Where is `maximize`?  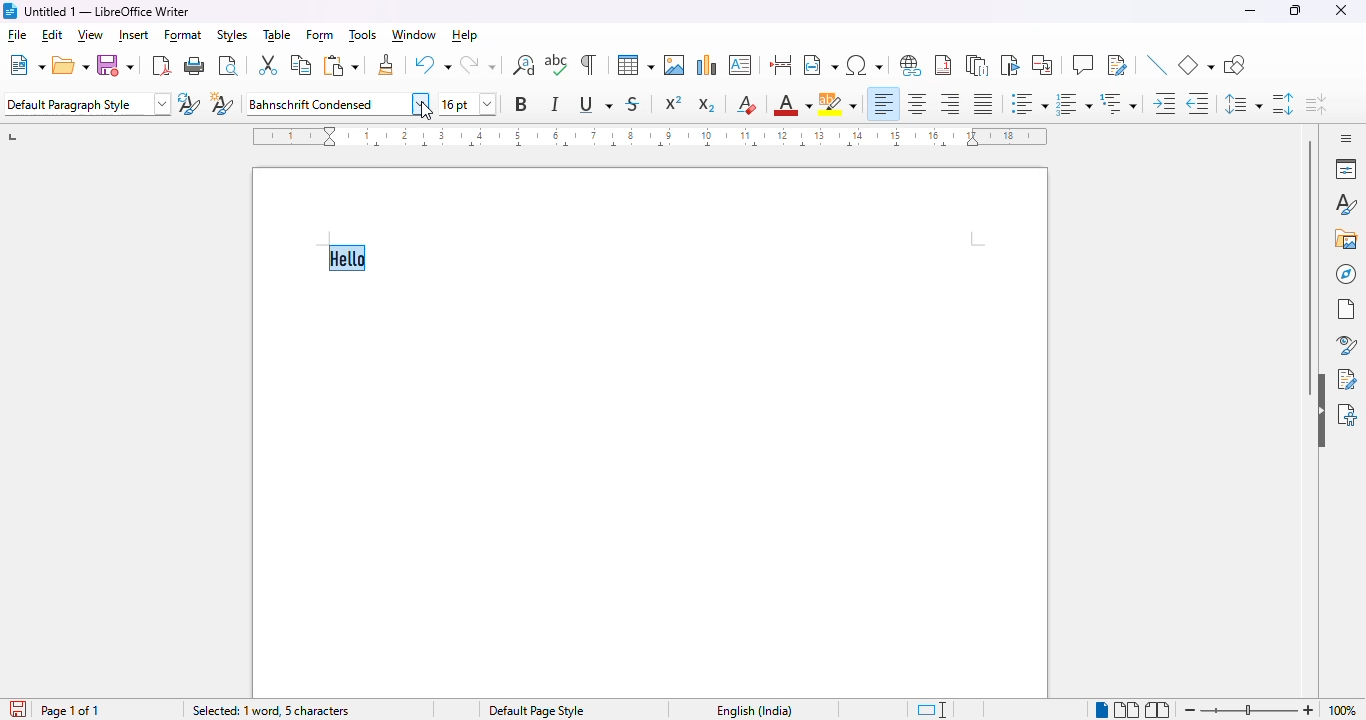 maximize is located at coordinates (1295, 10).